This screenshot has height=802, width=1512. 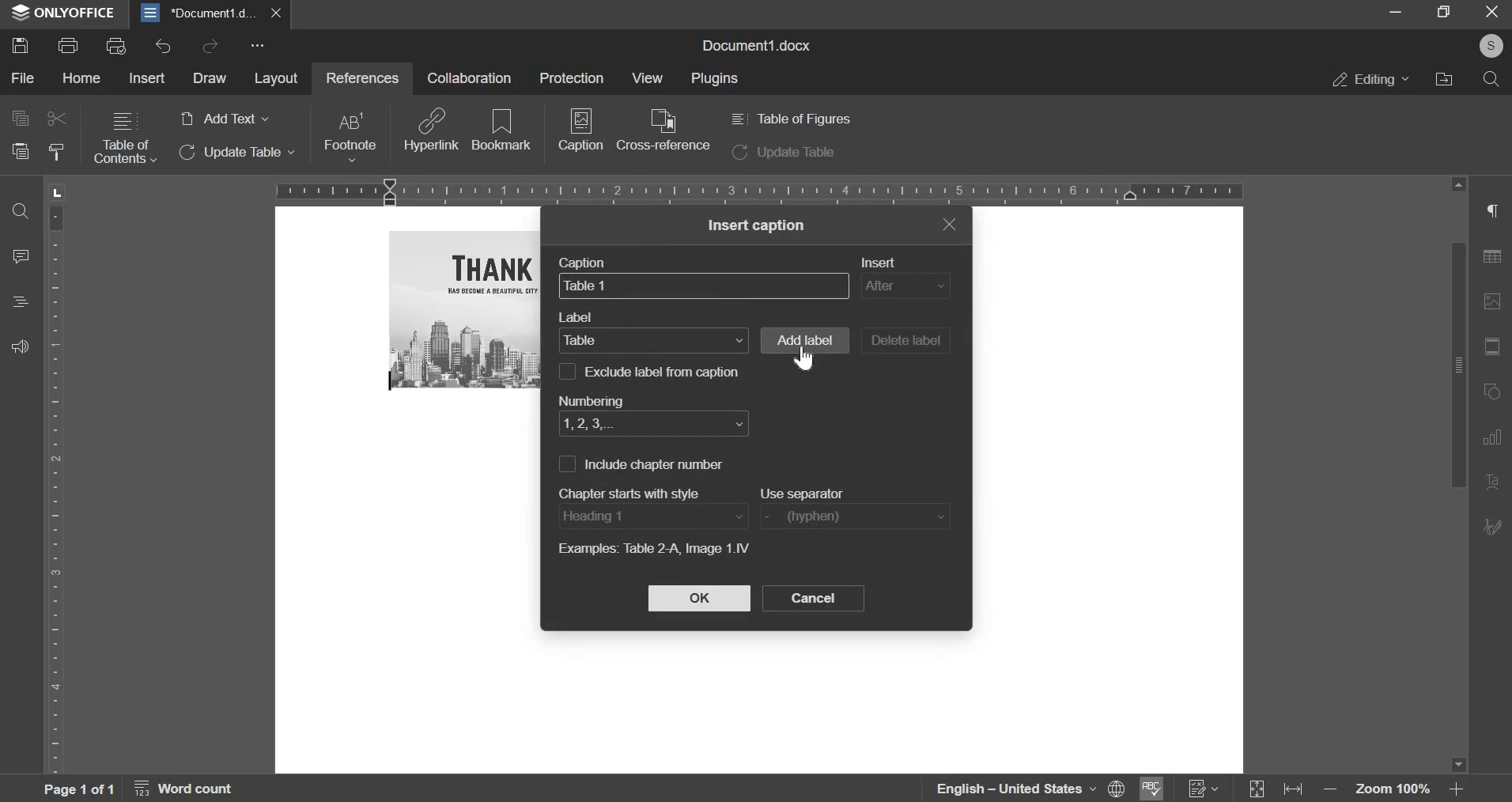 I want to click on use separator, so click(x=806, y=493).